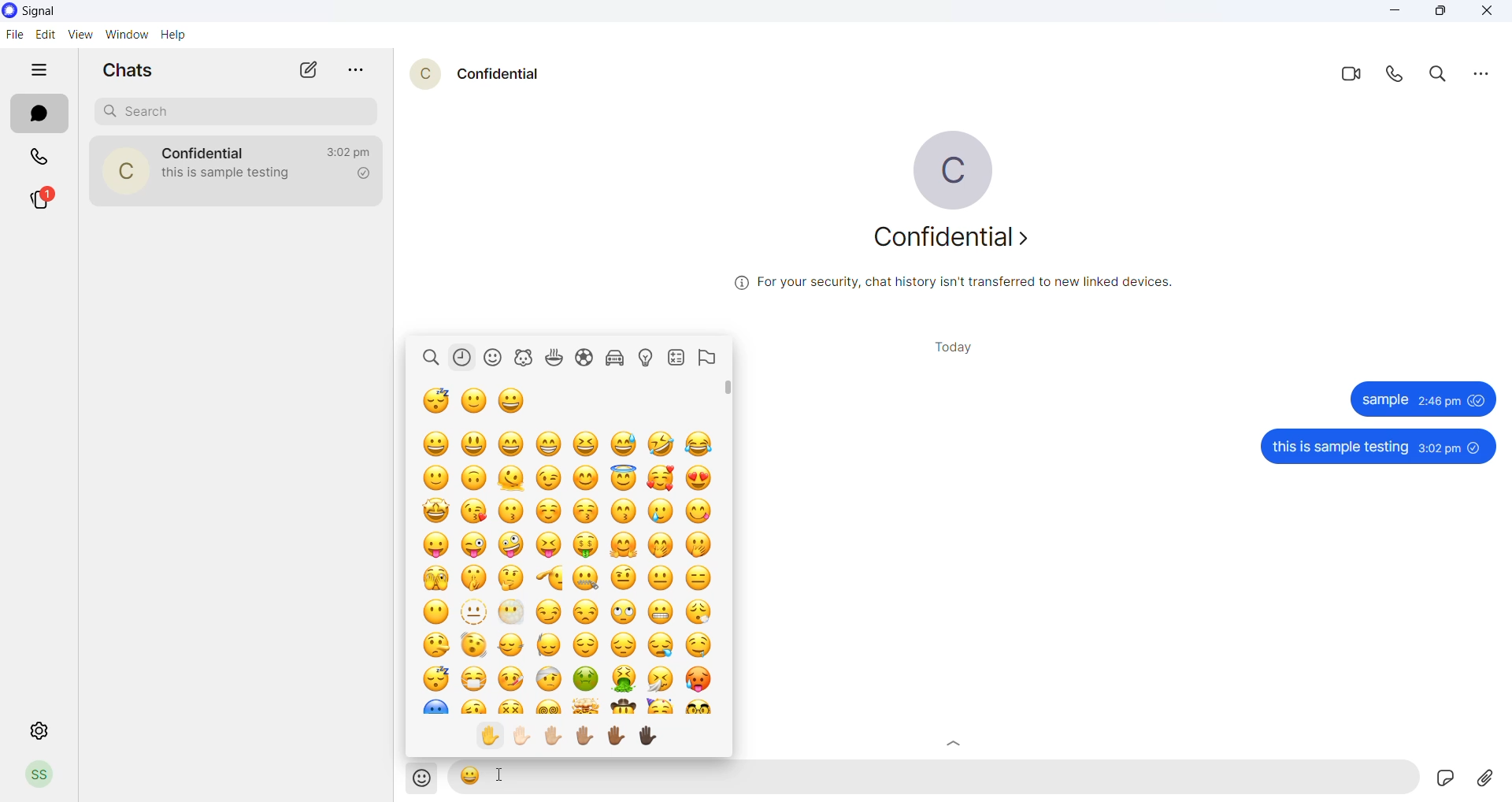 The height and width of the screenshot is (802, 1512). I want to click on help, so click(176, 35).